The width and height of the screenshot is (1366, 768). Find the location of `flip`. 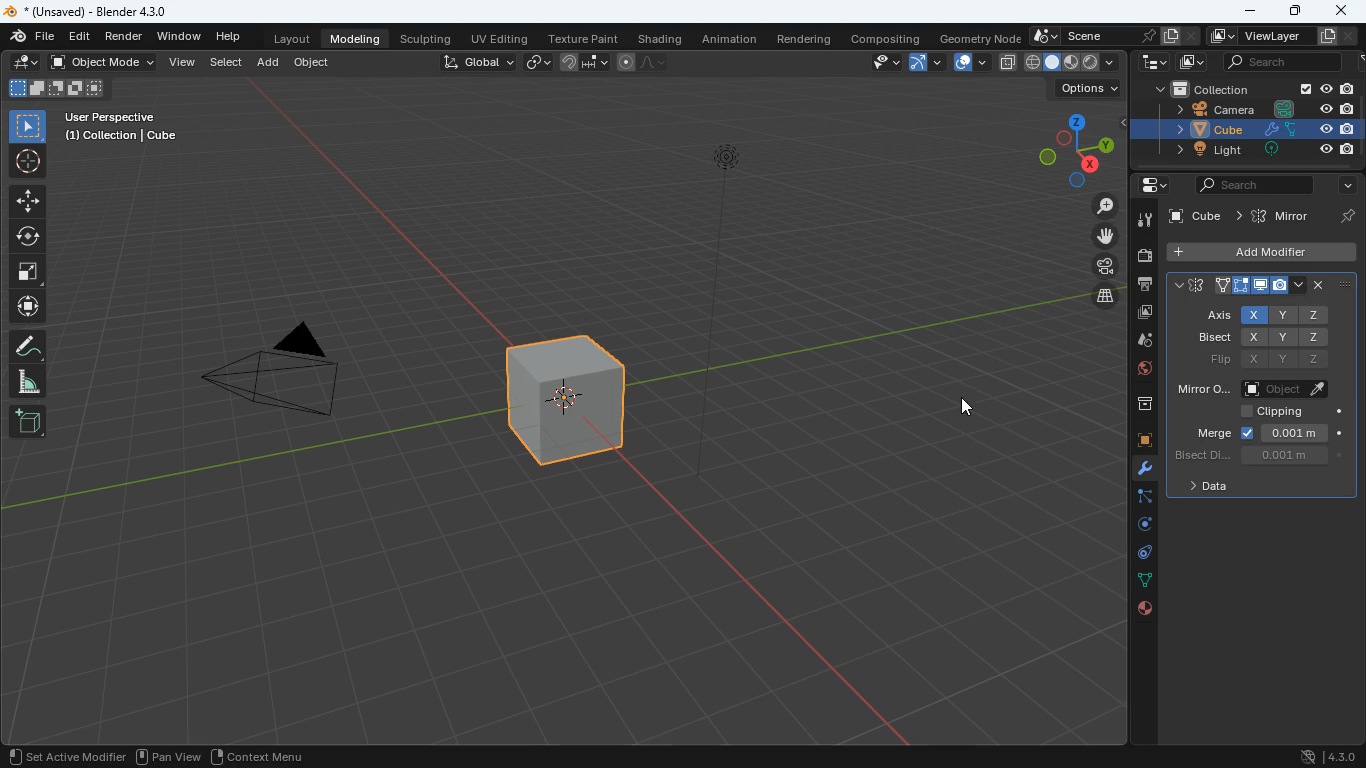

flip is located at coordinates (1273, 361).